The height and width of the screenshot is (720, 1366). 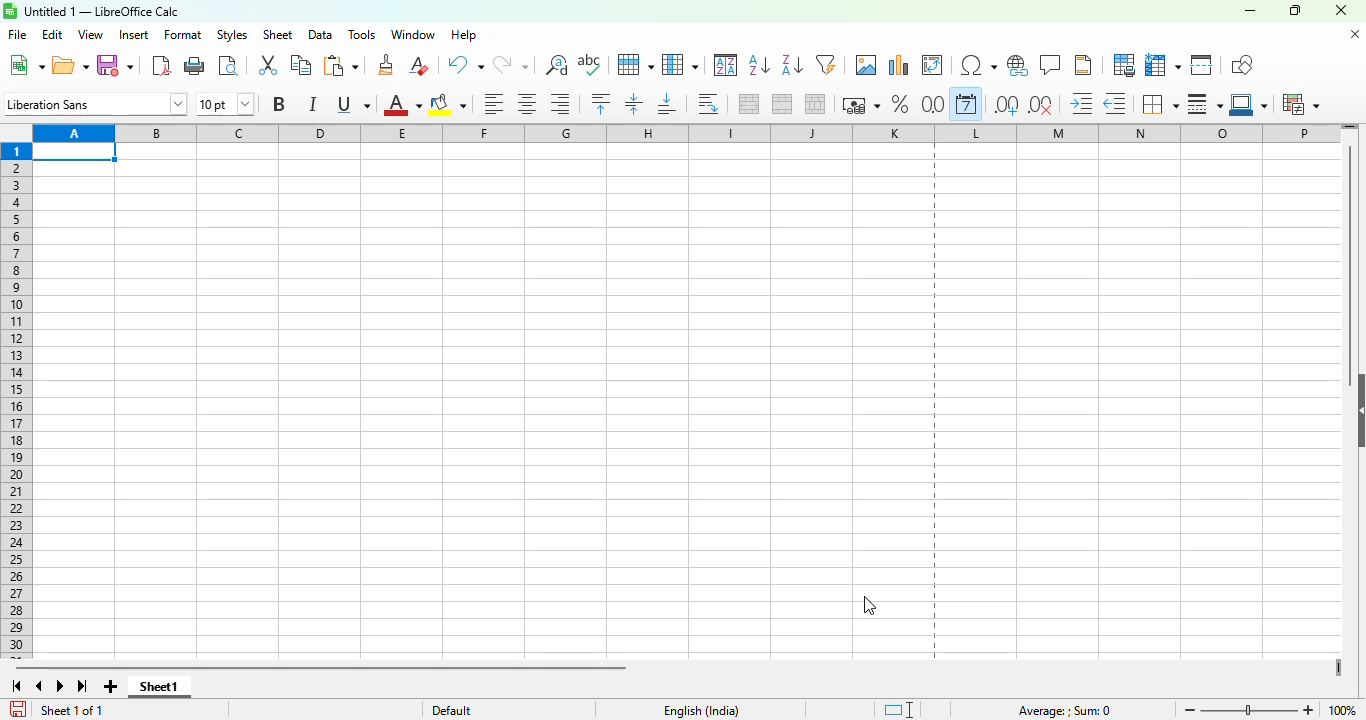 What do you see at coordinates (814, 104) in the screenshot?
I see `unmerge cells` at bounding box center [814, 104].